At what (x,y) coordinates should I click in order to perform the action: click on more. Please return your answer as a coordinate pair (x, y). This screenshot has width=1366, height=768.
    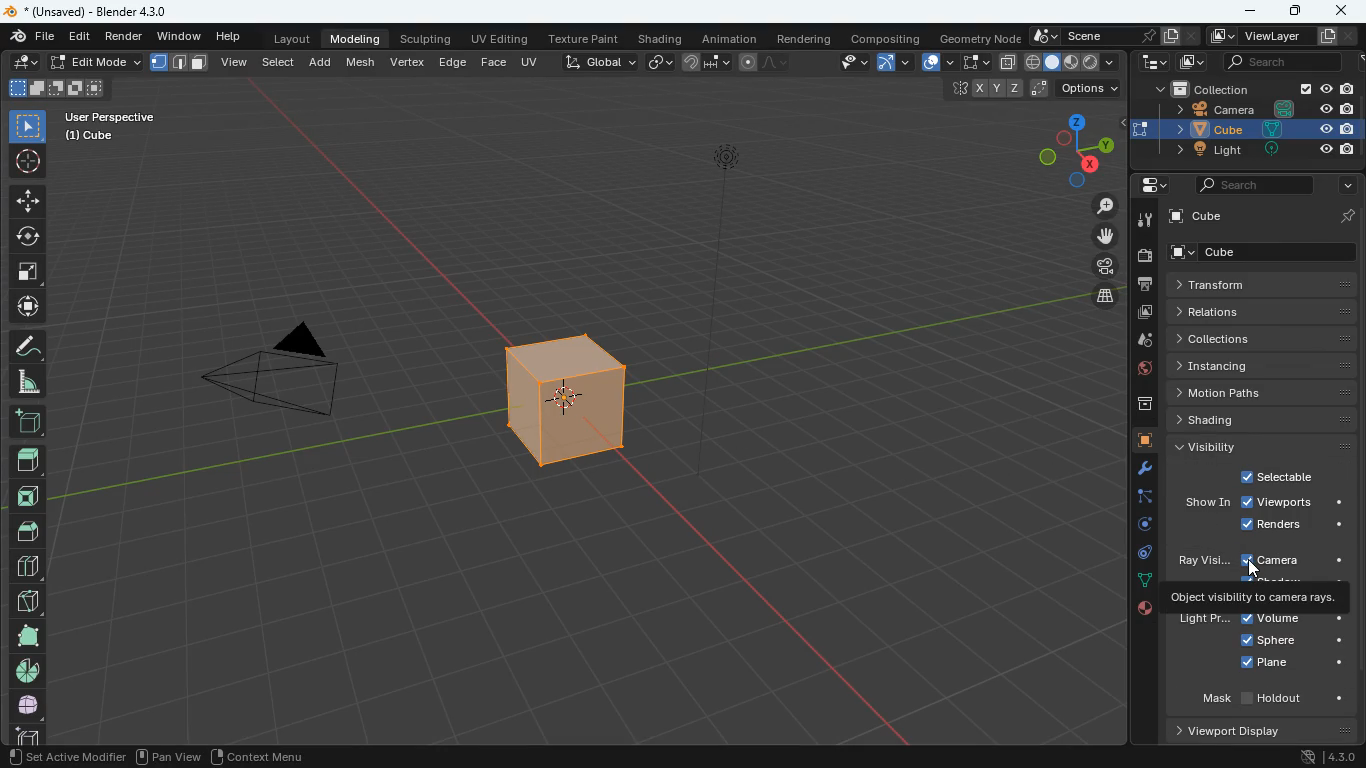
    Looking at the image, I should click on (1347, 185).